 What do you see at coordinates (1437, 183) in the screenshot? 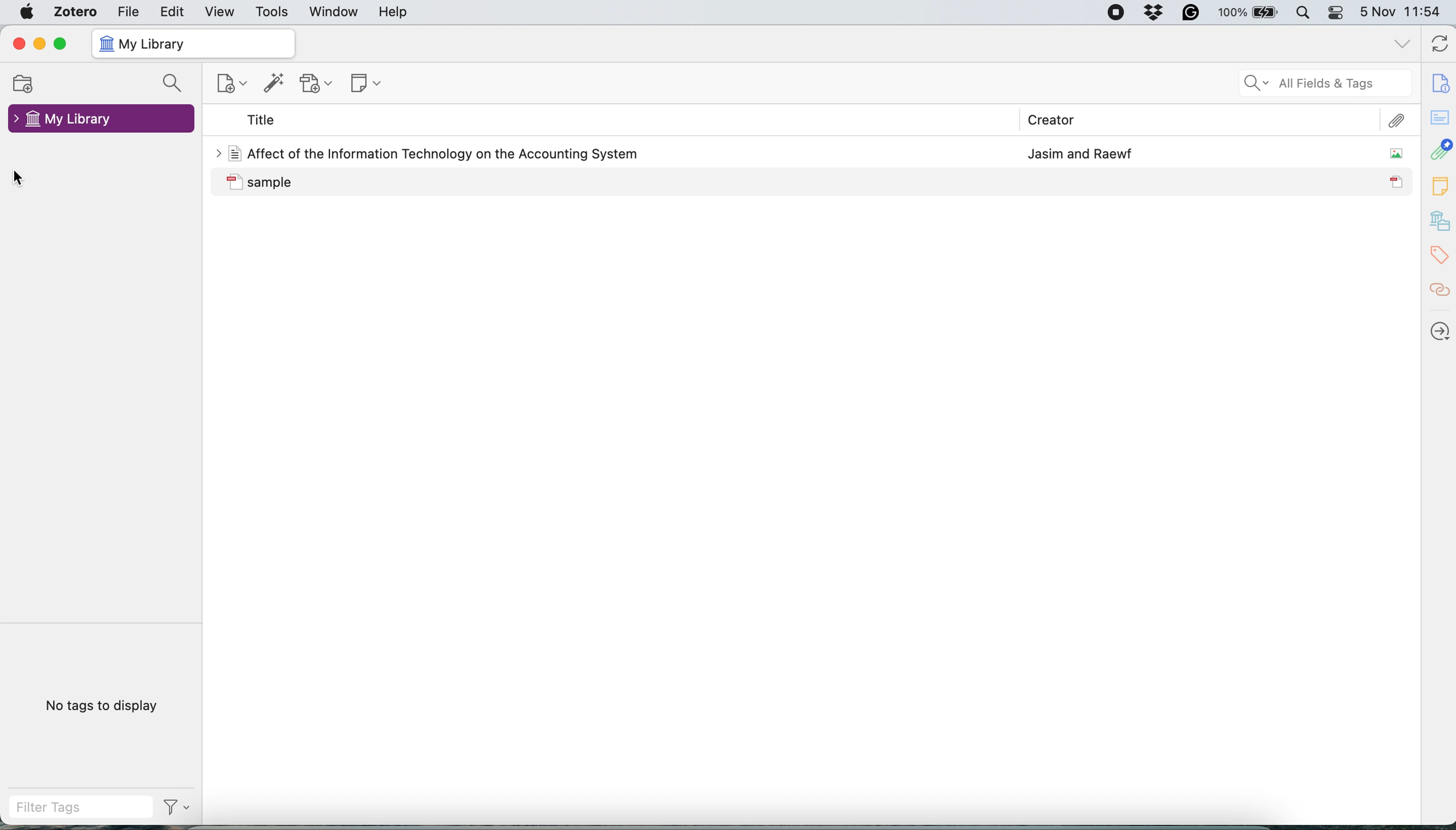
I see `new note` at bounding box center [1437, 183].